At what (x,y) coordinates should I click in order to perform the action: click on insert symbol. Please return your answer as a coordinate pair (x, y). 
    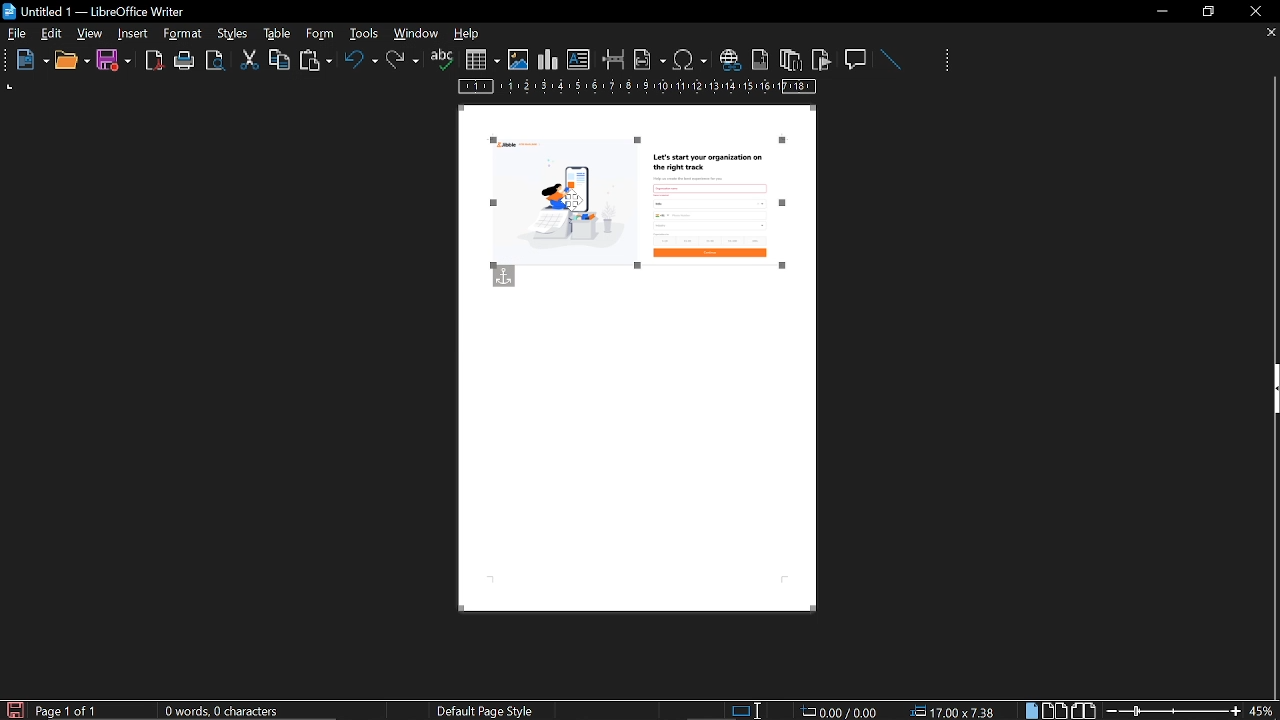
    Looking at the image, I should click on (690, 59).